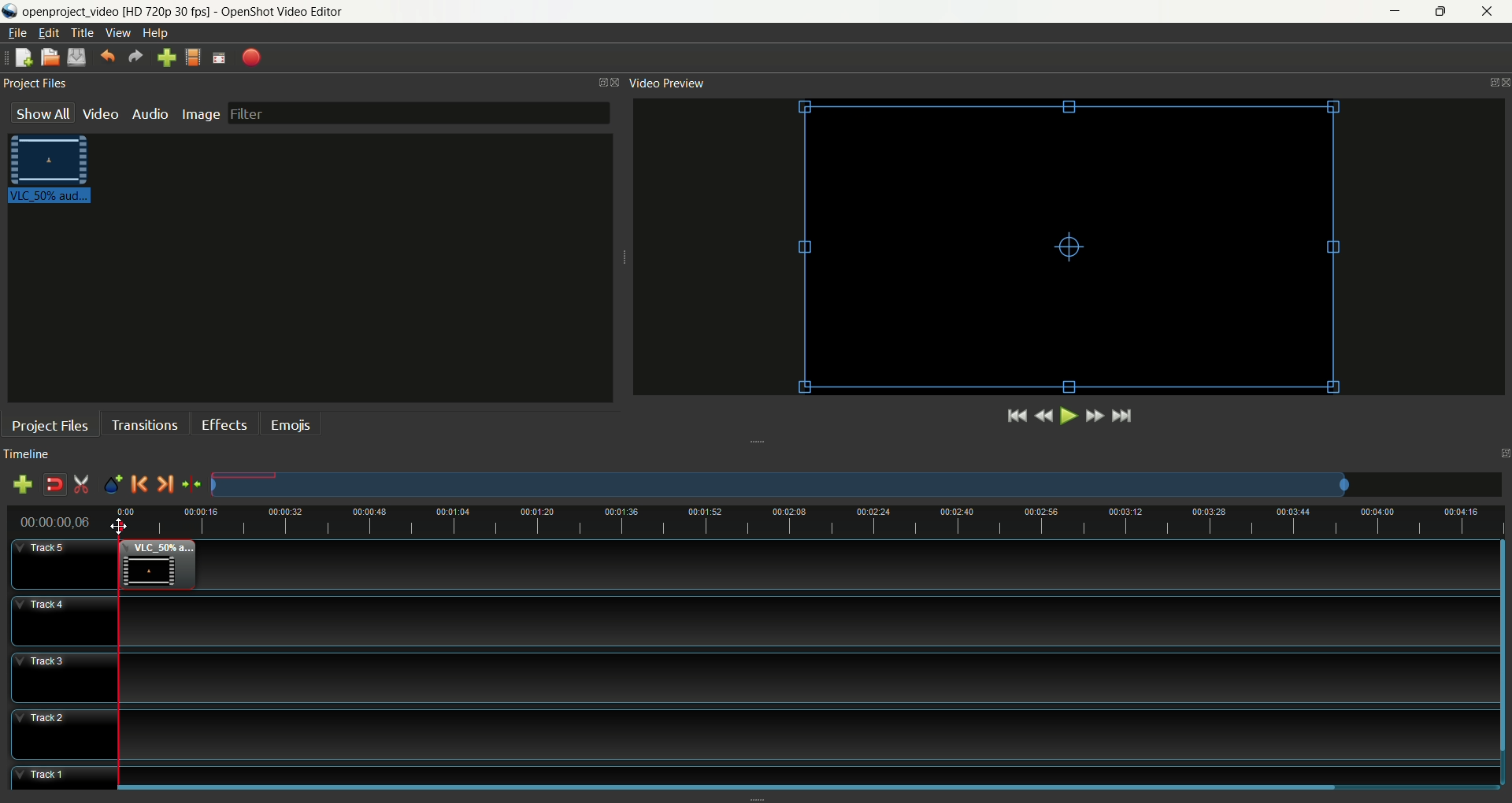  What do you see at coordinates (836, 525) in the screenshot?
I see `zoom factor` at bounding box center [836, 525].